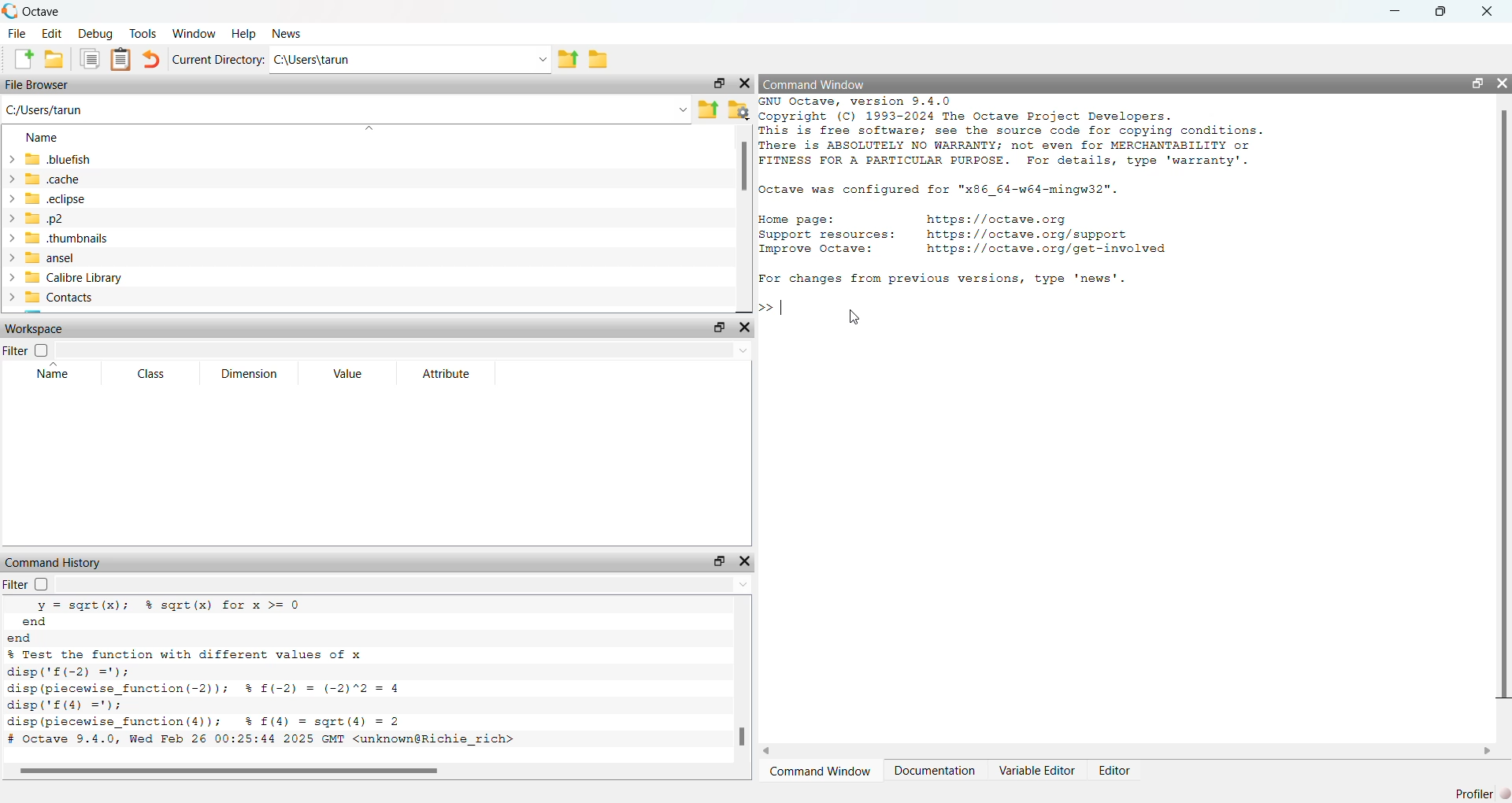 The height and width of the screenshot is (803, 1512). Describe the element at coordinates (717, 561) in the screenshot. I see `Maximize/Restore` at that location.